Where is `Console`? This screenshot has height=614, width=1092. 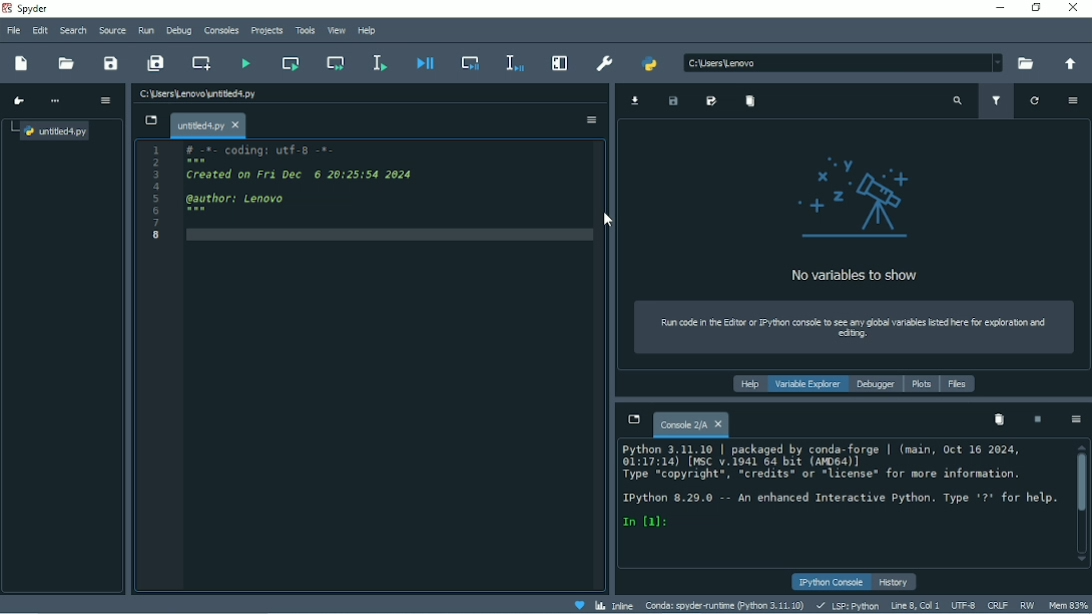 Console is located at coordinates (845, 486).